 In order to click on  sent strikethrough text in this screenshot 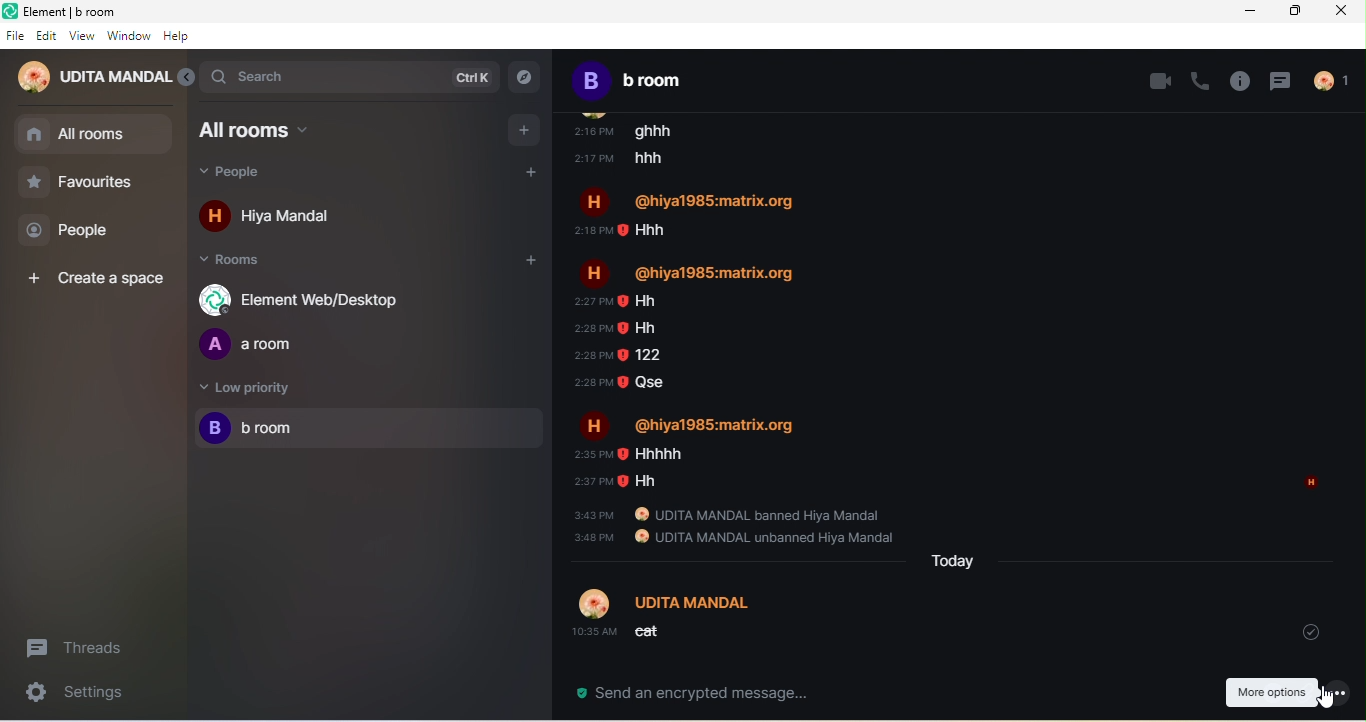, I will do `click(695, 622)`.